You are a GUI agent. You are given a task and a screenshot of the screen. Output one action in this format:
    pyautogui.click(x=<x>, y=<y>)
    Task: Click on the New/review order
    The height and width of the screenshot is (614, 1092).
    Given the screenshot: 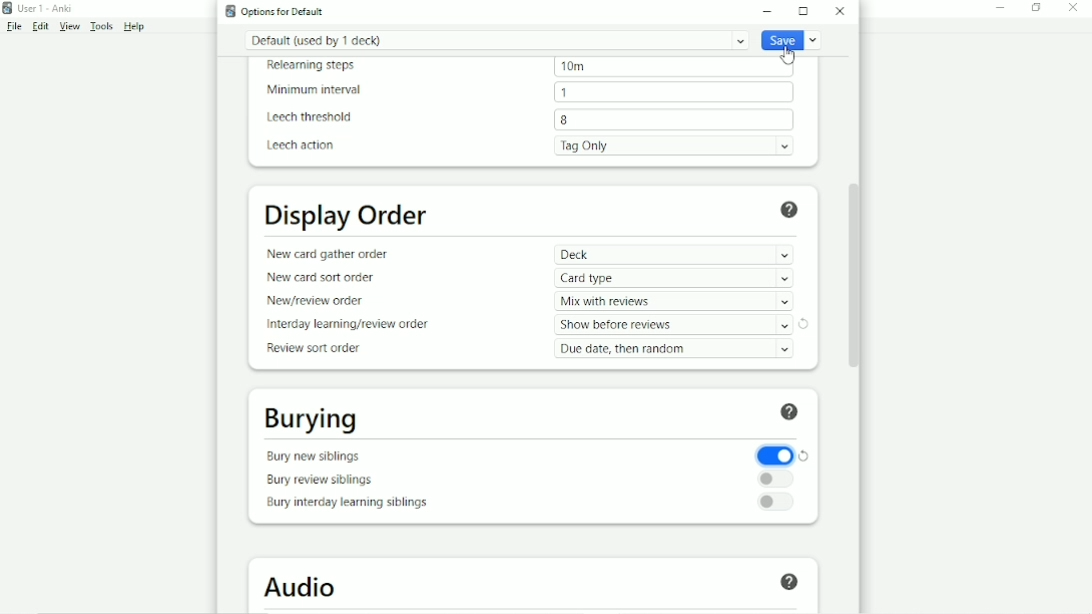 What is the action you would take?
    pyautogui.click(x=323, y=302)
    